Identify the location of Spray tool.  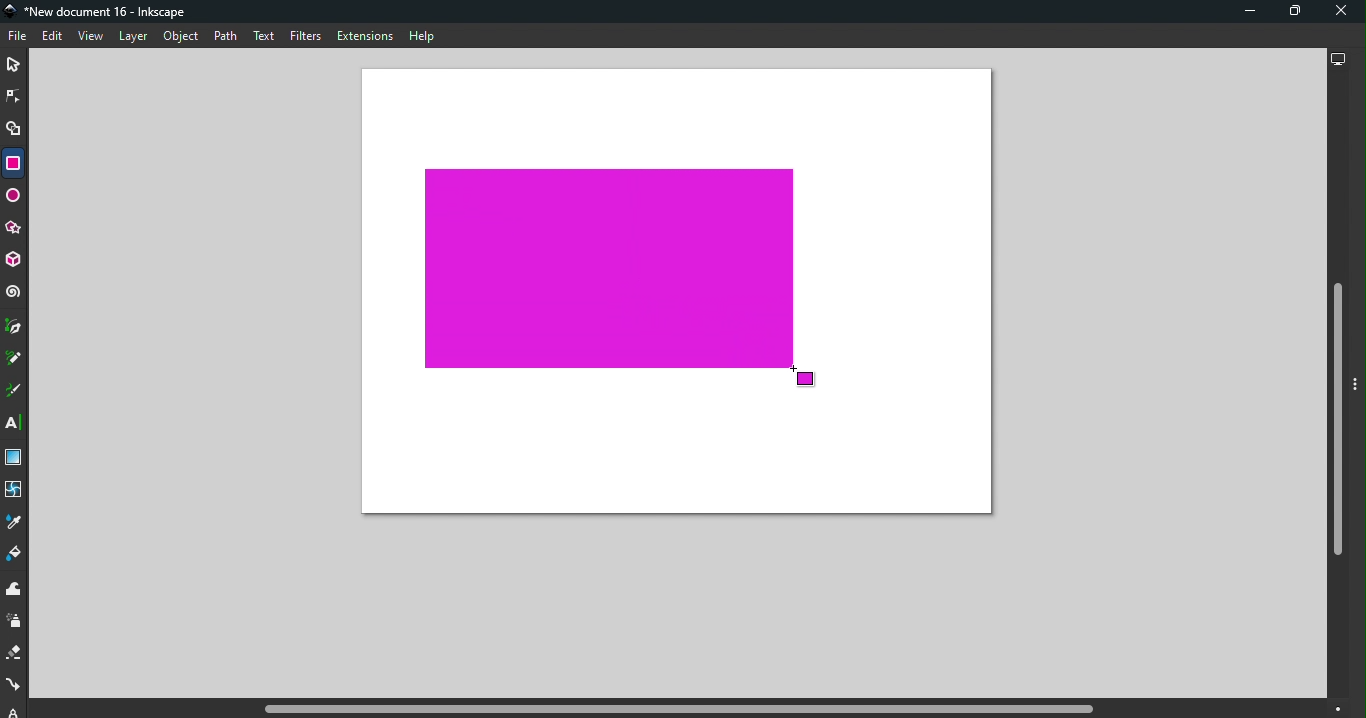
(17, 622).